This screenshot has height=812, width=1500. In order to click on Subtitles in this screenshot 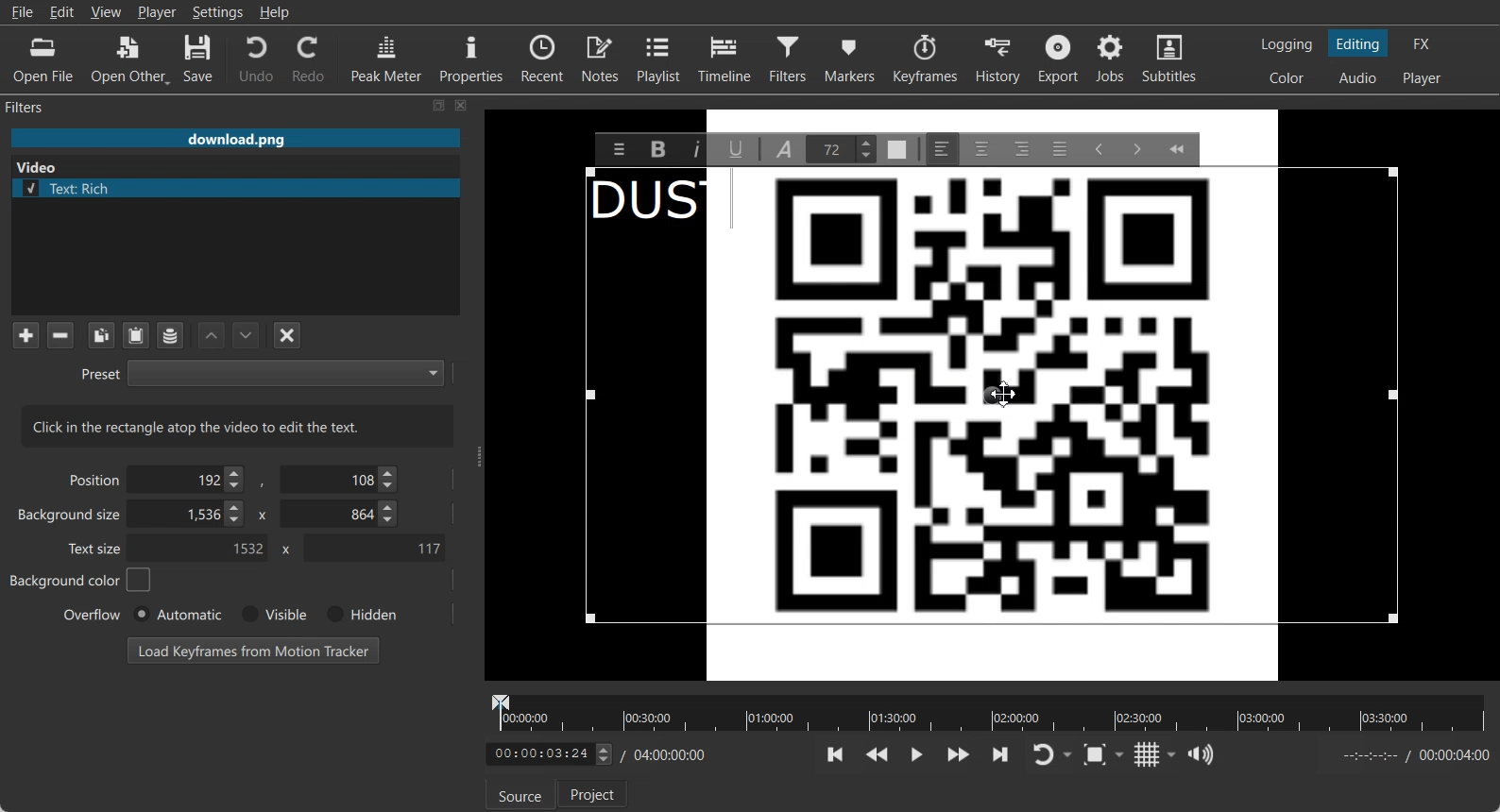, I will do `click(1170, 59)`.